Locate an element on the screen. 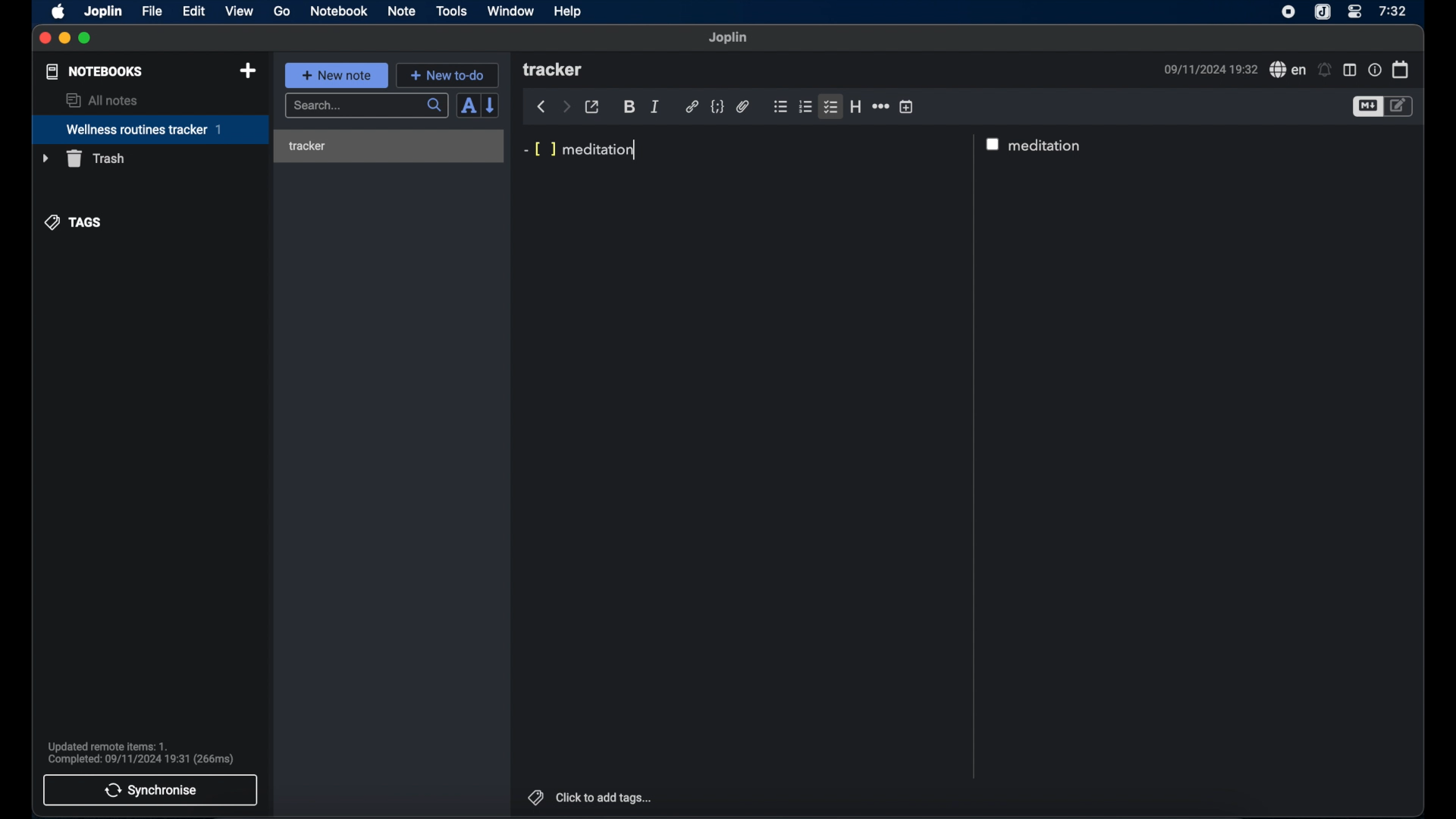 This screenshot has height=819, width=1456. edit is located at coordinates (193, 11).